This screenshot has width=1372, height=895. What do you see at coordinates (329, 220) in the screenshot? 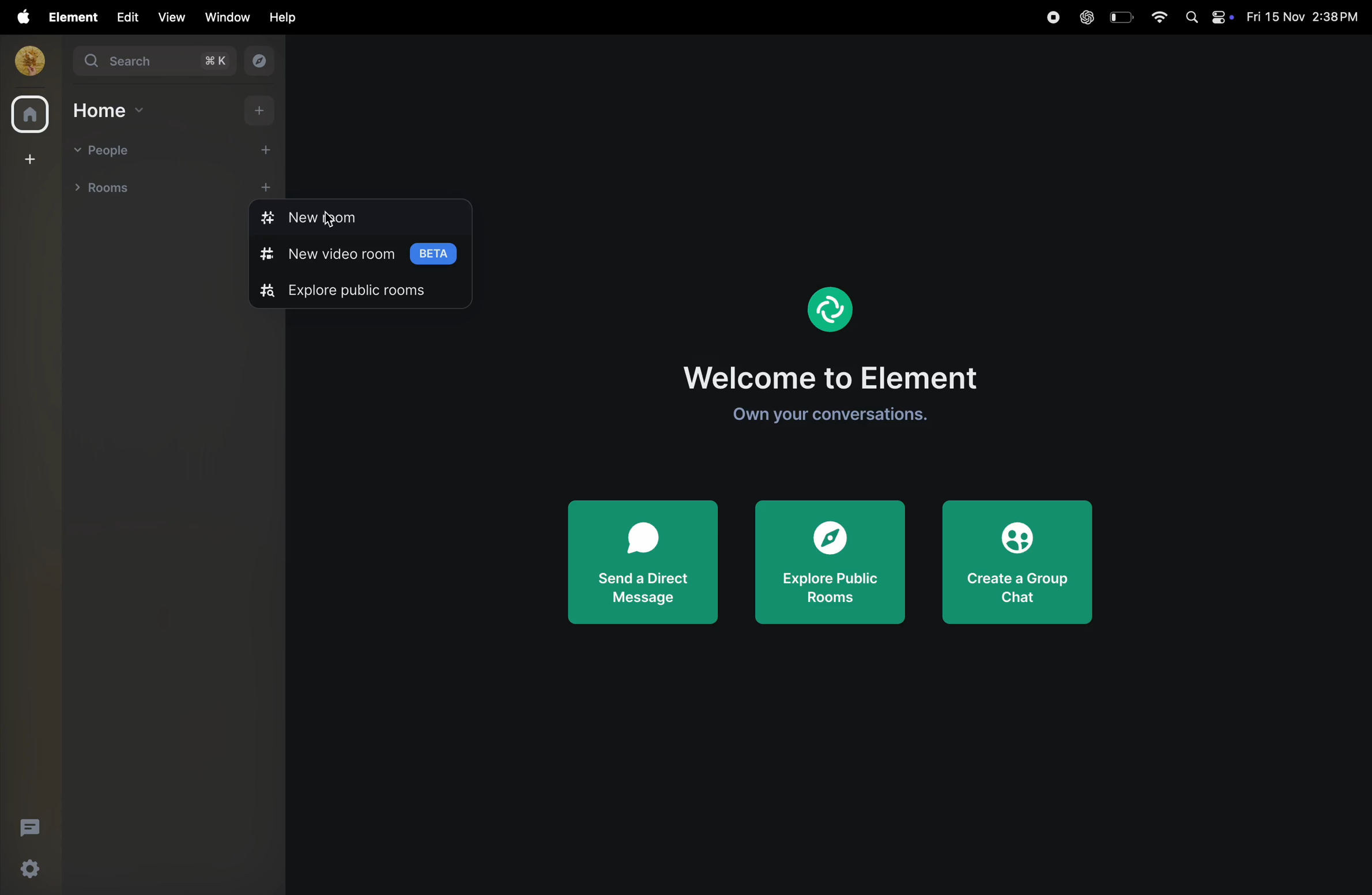
I see `cursor` at bounding box center [329, 220].